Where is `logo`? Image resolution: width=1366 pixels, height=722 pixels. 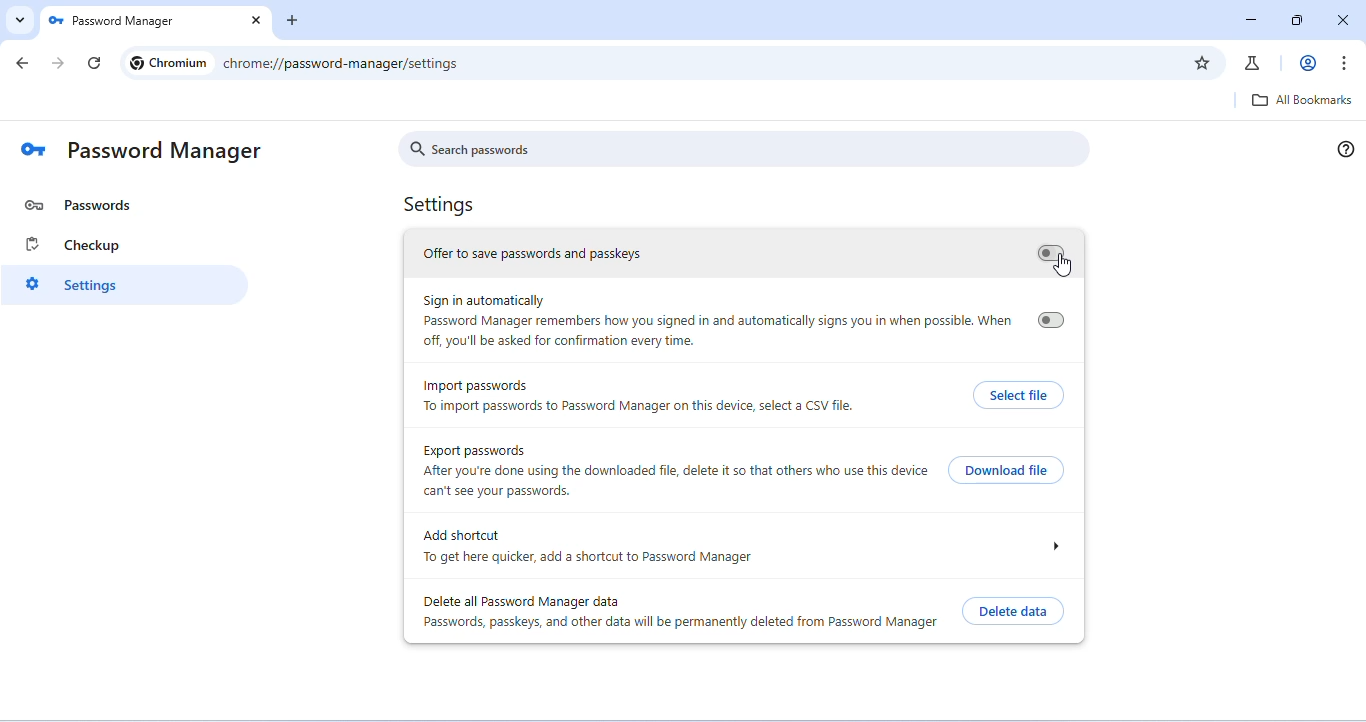
logo is located at coordinates (56, 21).